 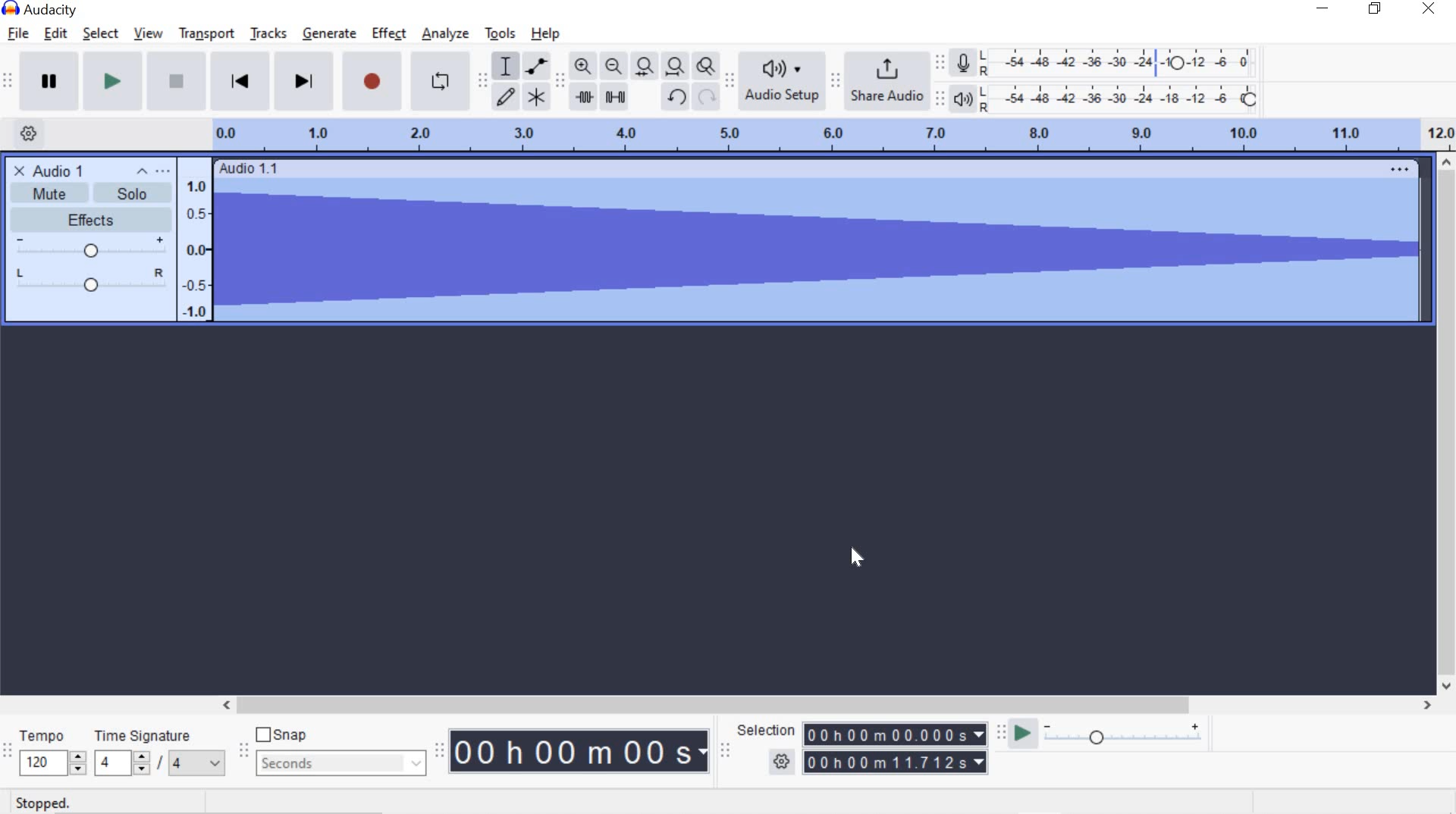 I want to click on view, so click(x=149, y=33).